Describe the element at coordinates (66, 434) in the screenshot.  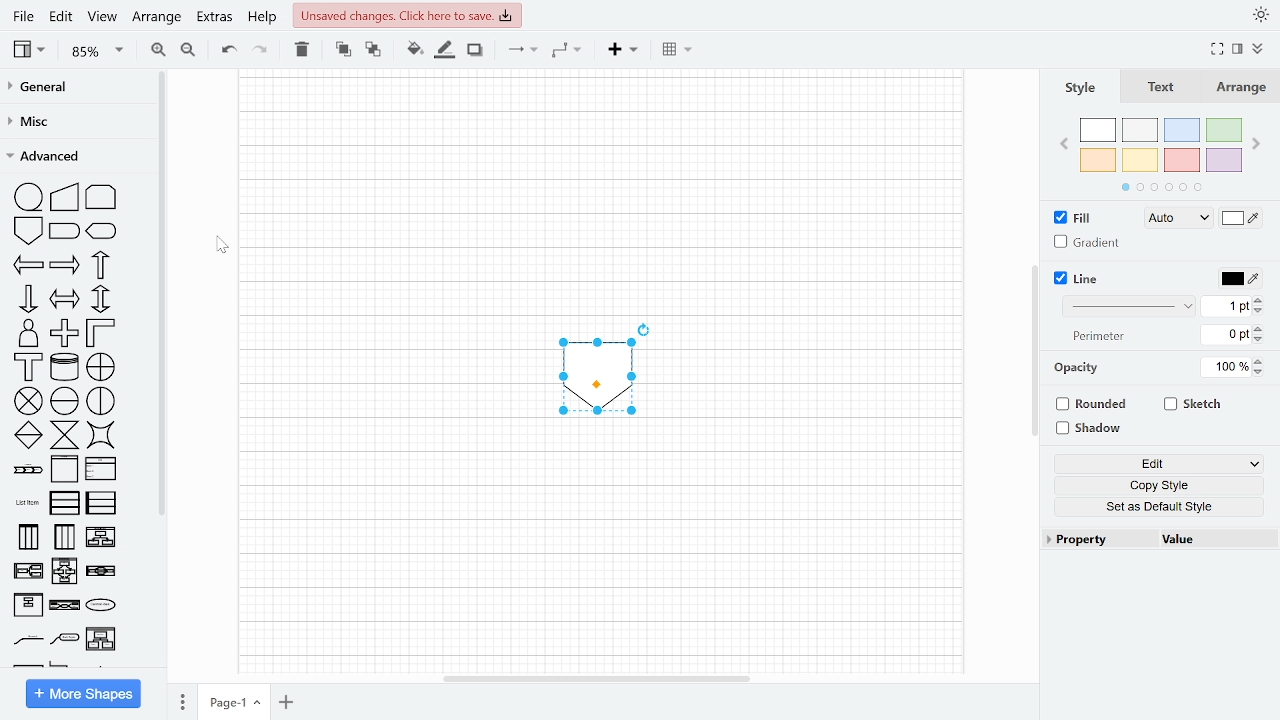
I see `collate` at that location.